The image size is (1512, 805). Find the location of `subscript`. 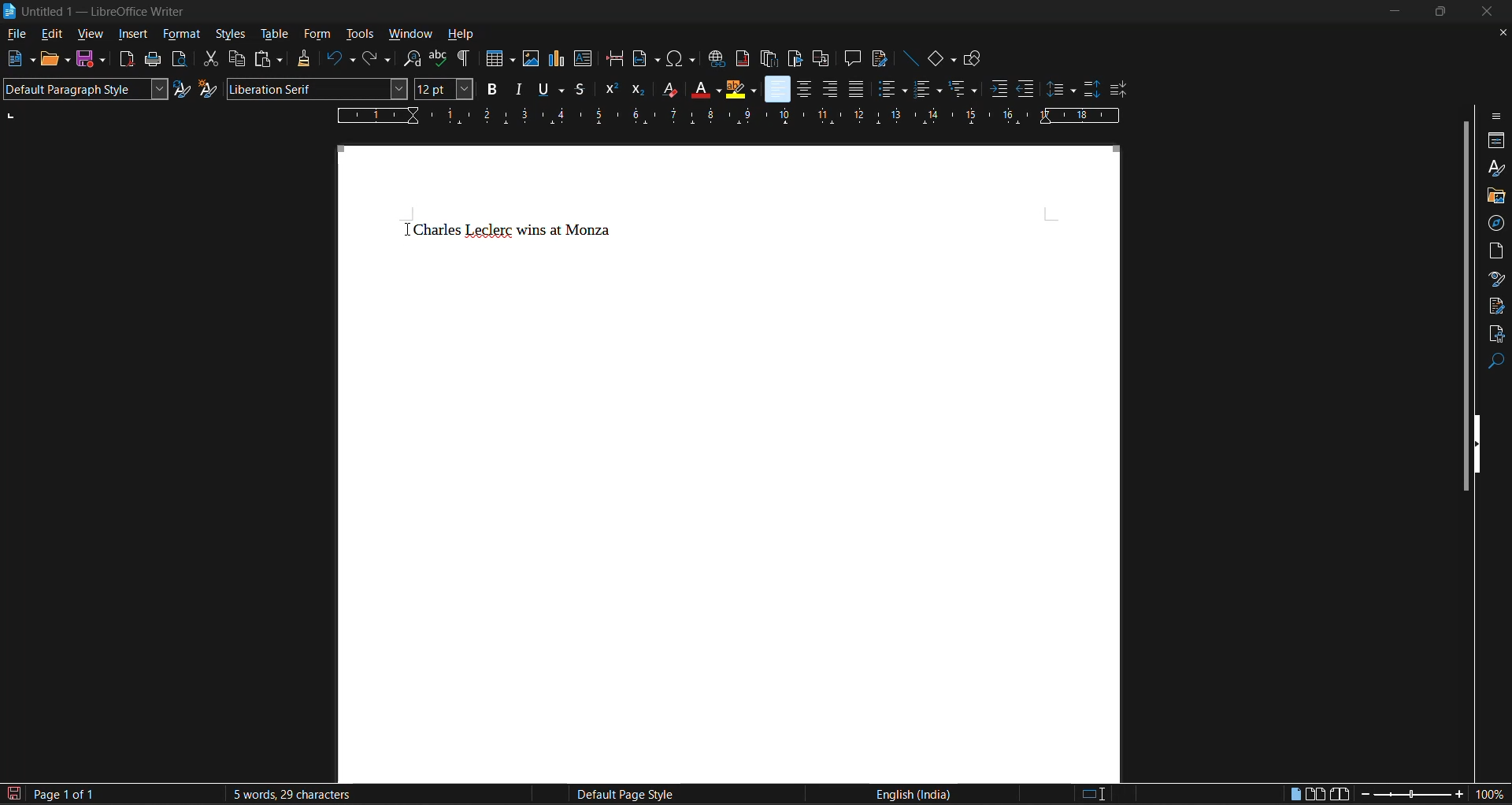

subscript is located at coordinates (639, 90).